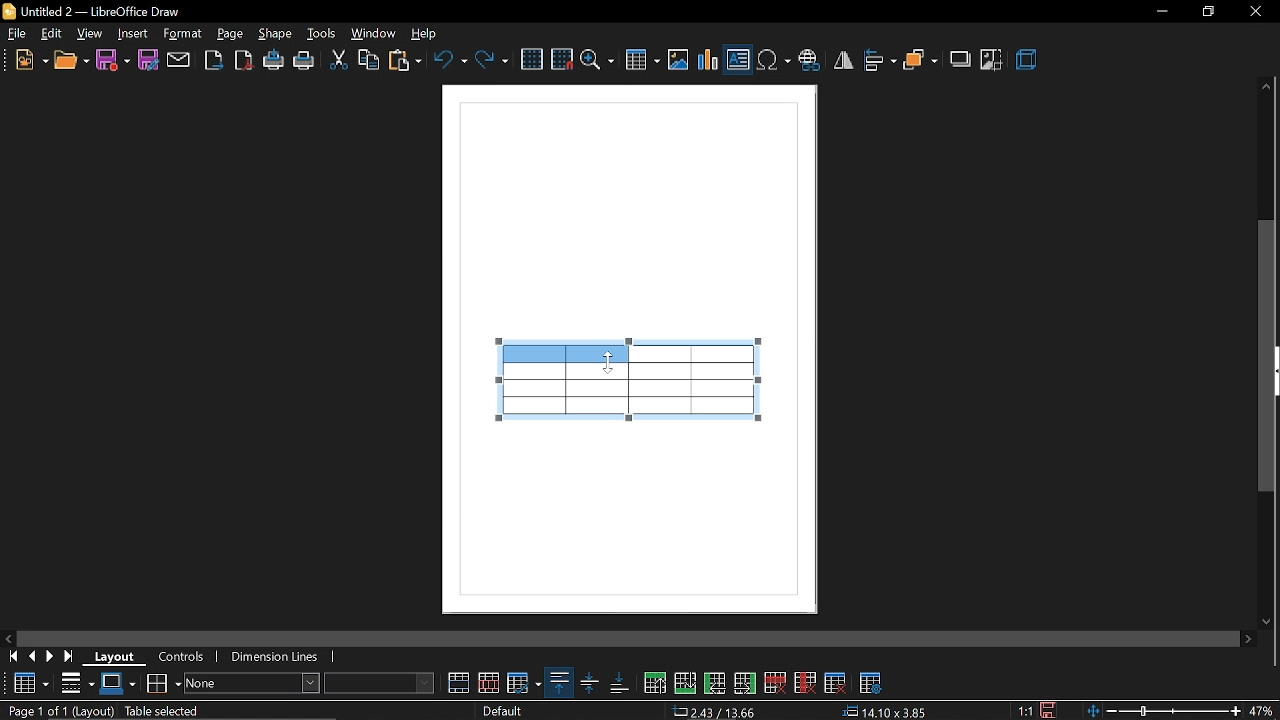 The height and width of the screenshot is (720, 1280). What do you see at coordinates (78, 683) in the screenshot?
I see `border style` at bounding box center [78, 683].